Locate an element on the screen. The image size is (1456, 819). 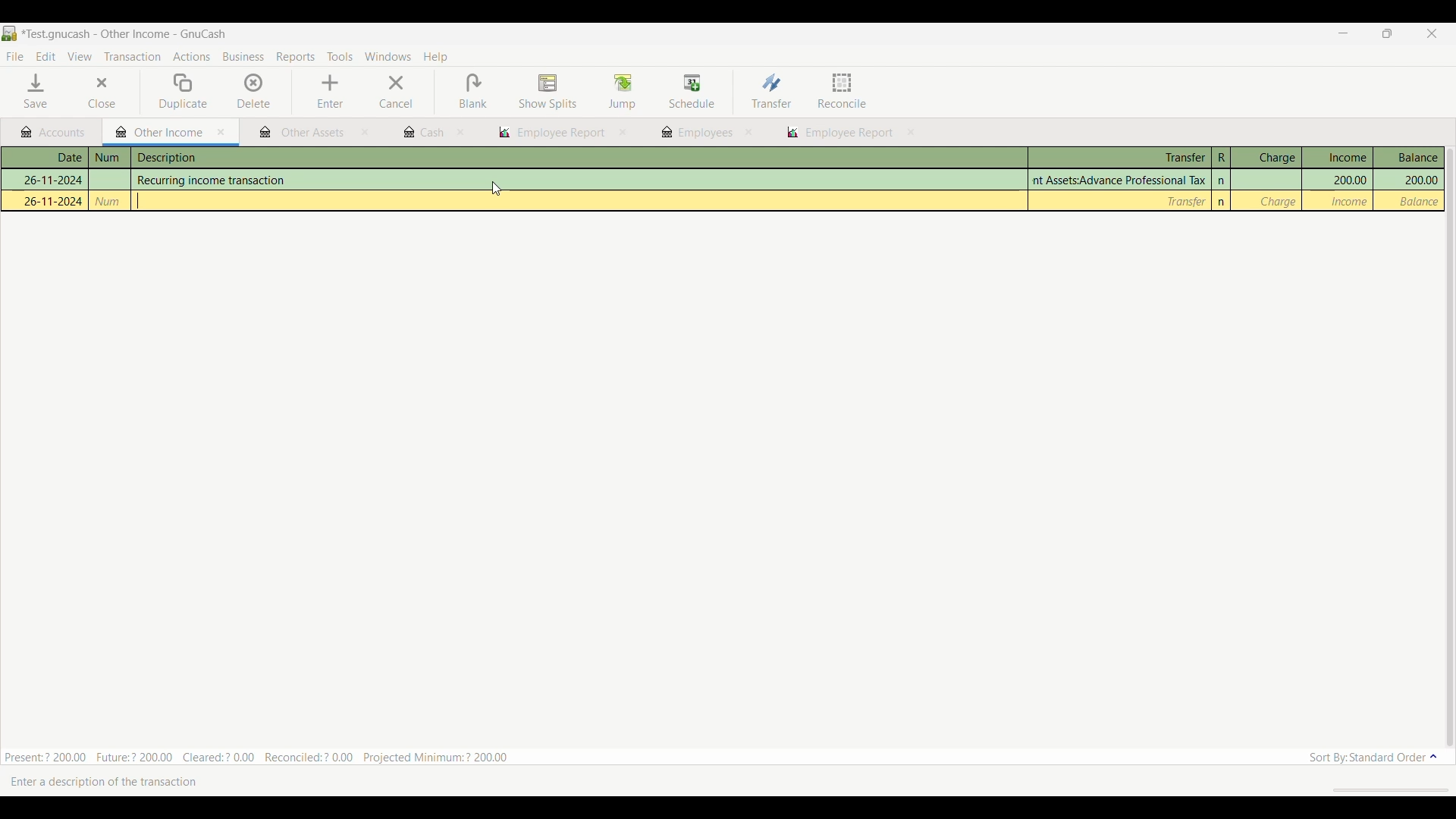
Transfer is located at coordinates (1167, 202).